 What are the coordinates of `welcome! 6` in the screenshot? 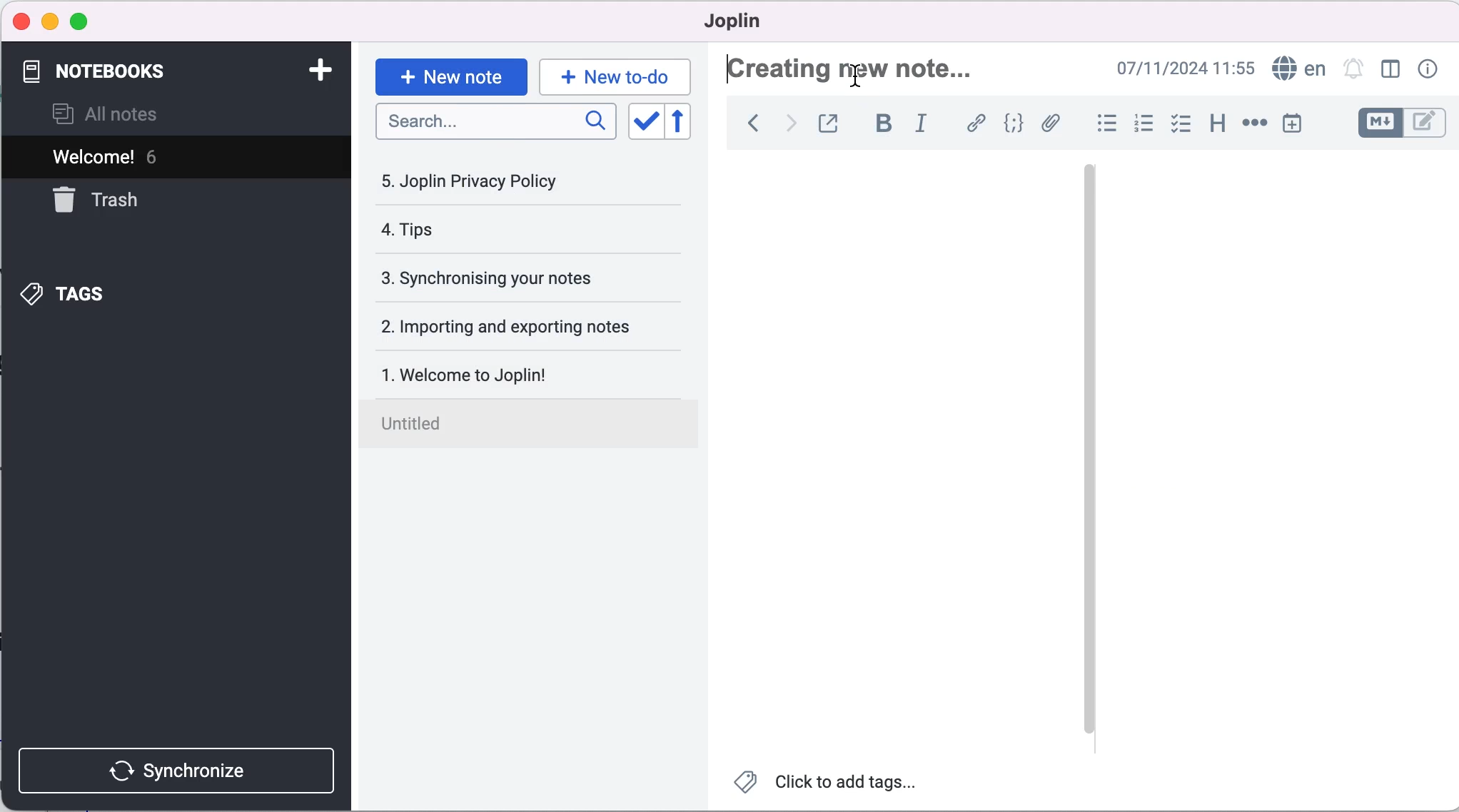 It's located at (138, 156).